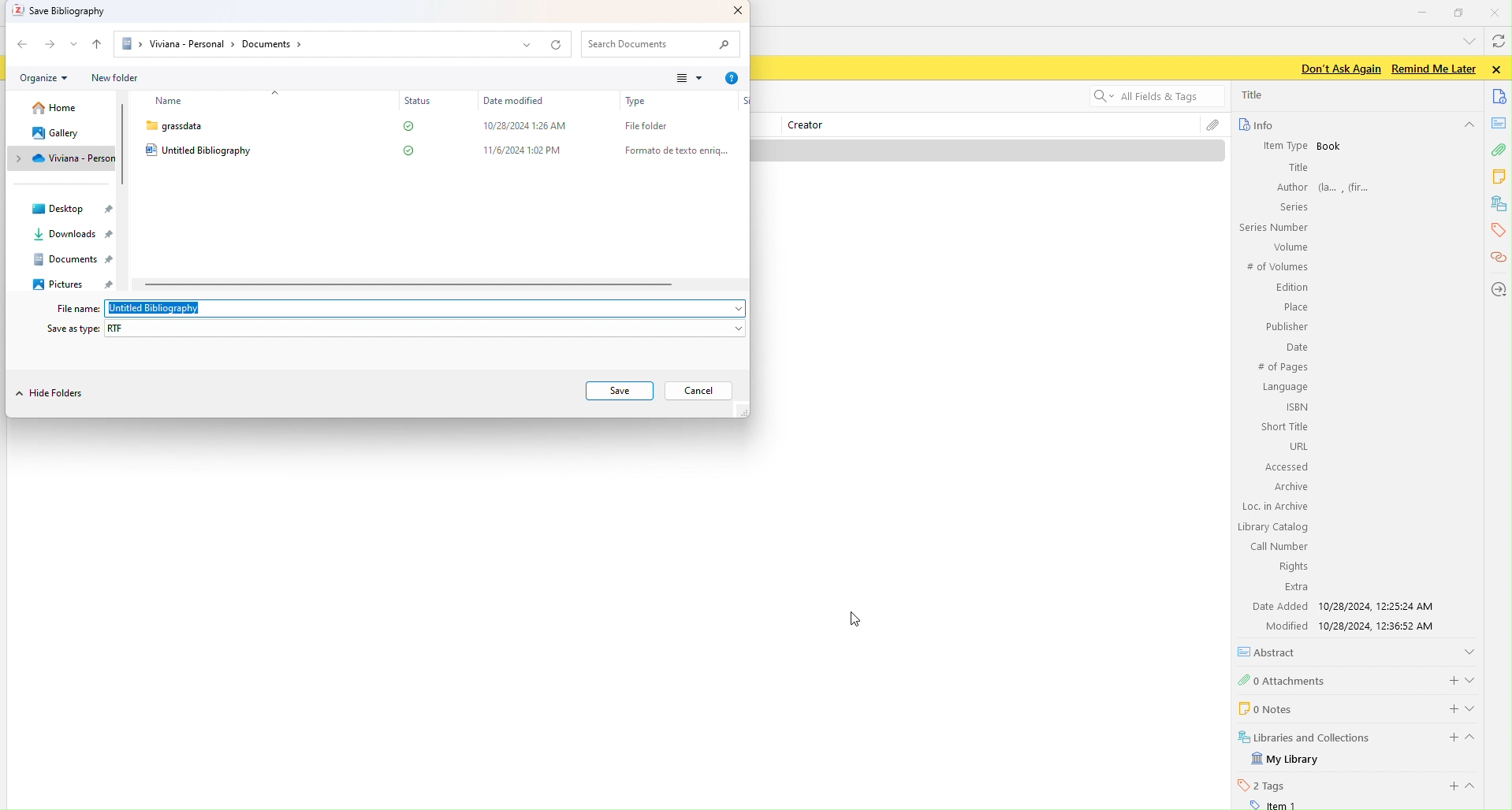 This screenshot has height=810, width=1512. What do you see at coordinates (1349, 186) in the screenshot?
I see `fa, fr` at bounding box center [1349, 186].